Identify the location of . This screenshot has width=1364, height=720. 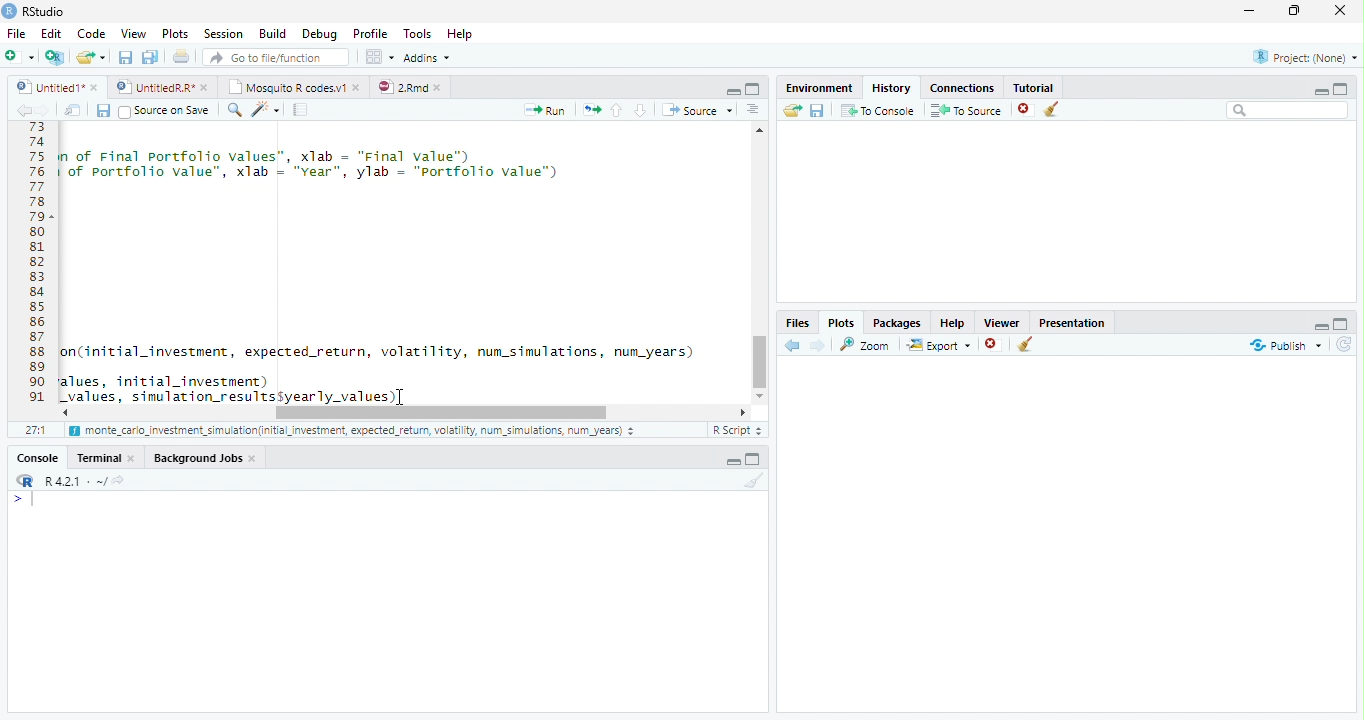
(732, 89).